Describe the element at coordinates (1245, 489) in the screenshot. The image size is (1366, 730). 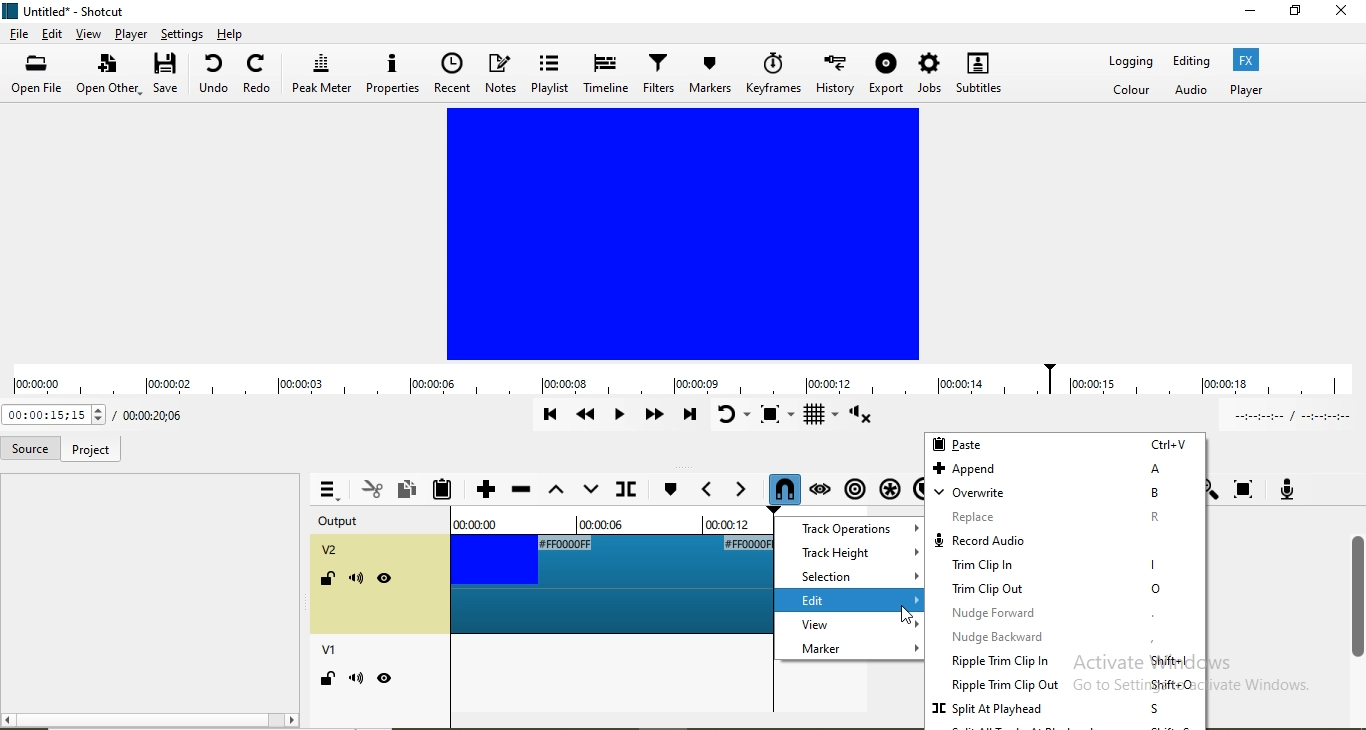
I see `Zoom timeline to fit` at that location.